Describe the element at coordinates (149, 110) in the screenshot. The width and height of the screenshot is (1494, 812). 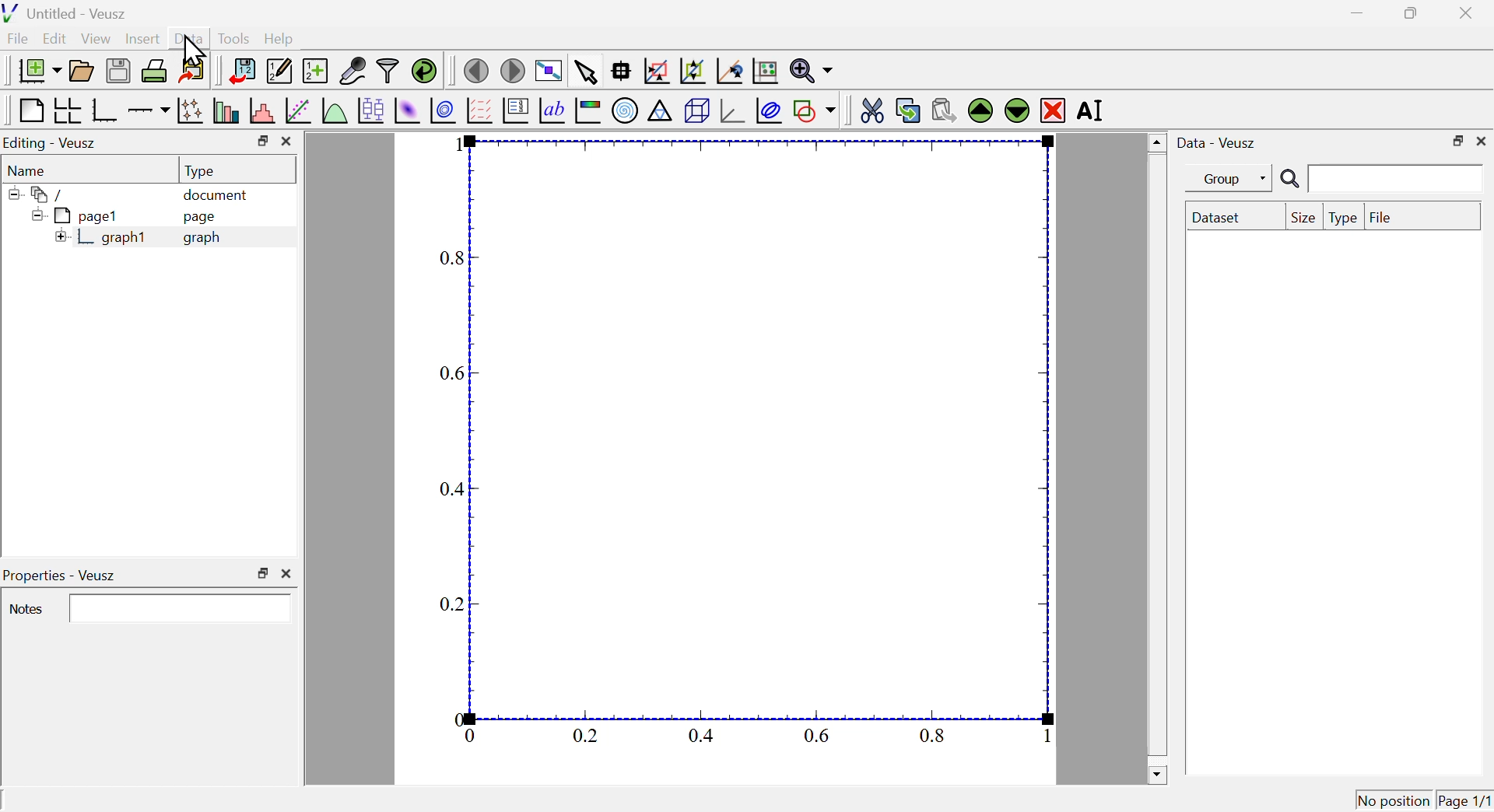
I see `add an axis to the plot` at that location.